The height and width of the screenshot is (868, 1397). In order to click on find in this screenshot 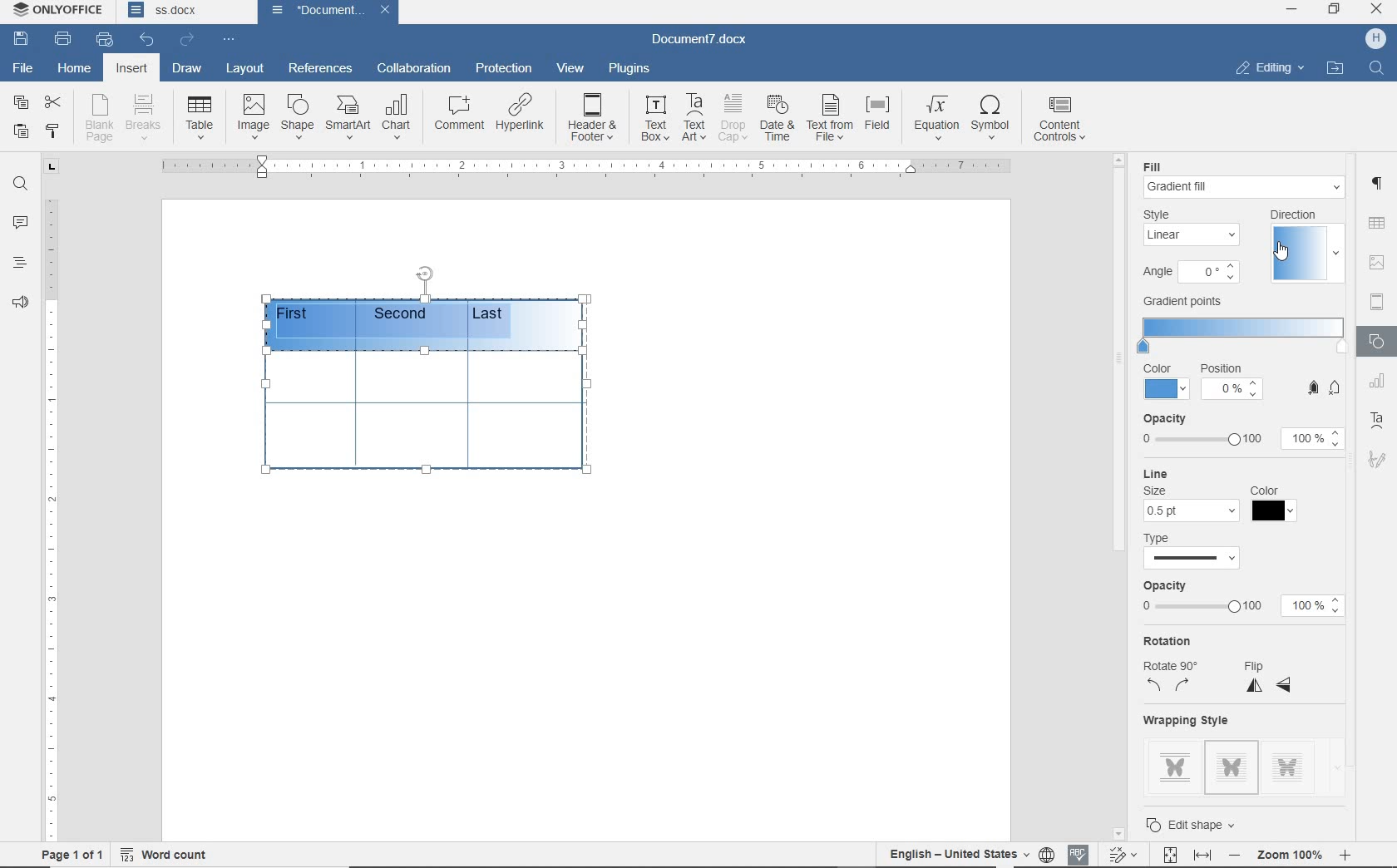, I will do `click(20, 184)`.